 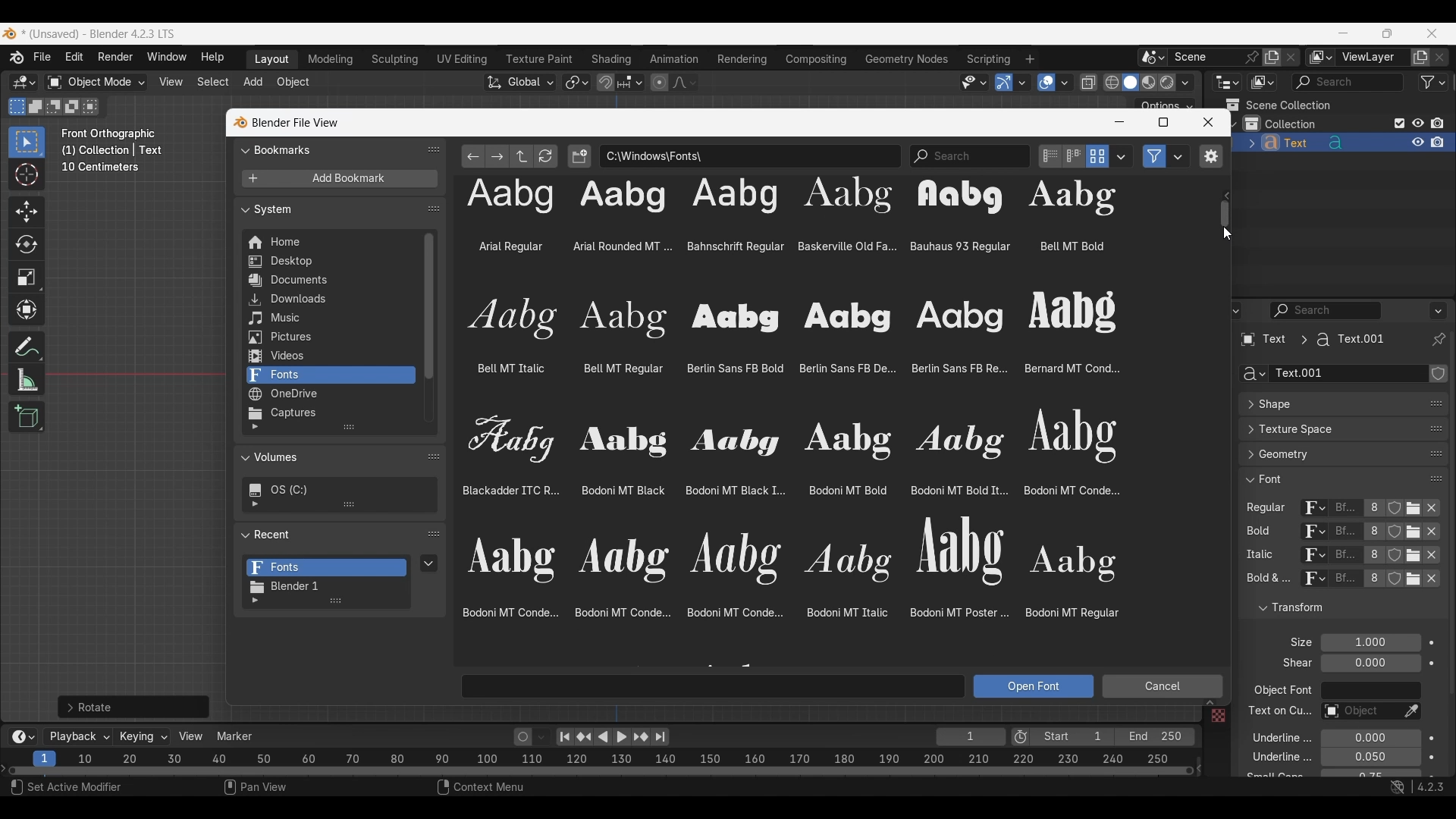 What do you see at coordinates (520, 83) in the screenshot?
I see `Transformation orientation, global` at bounding box center [520, 83].